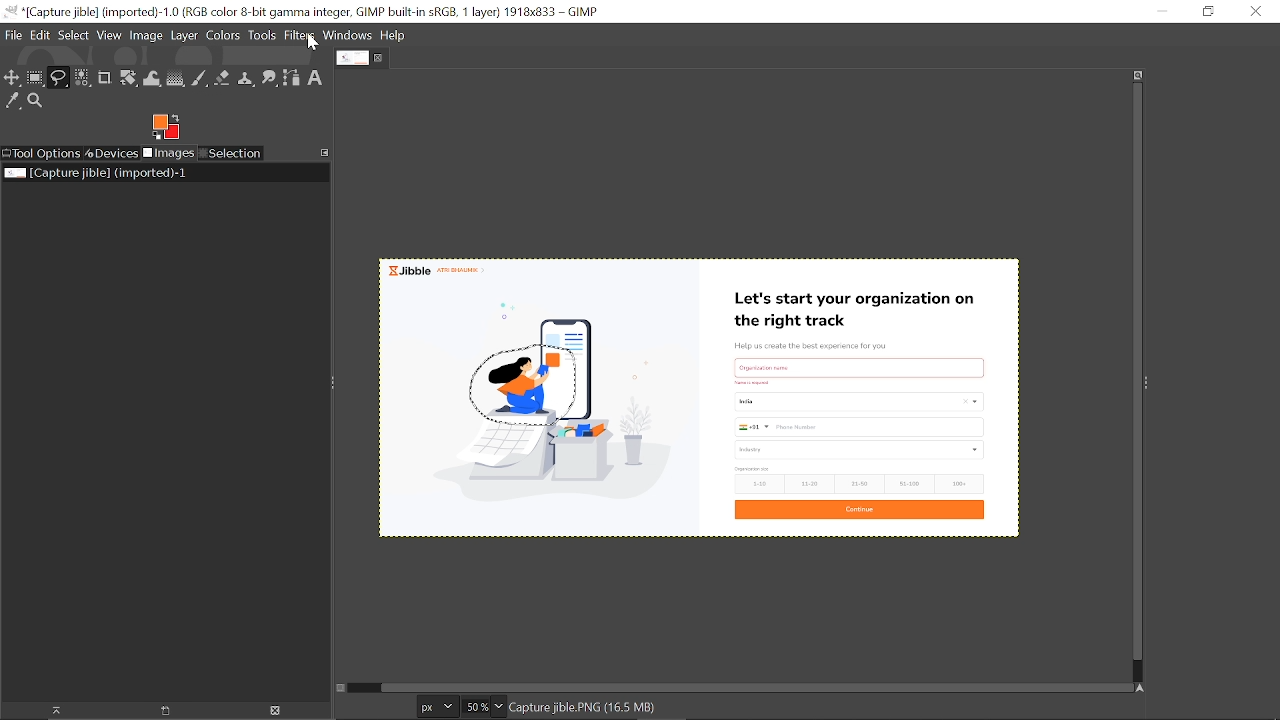 The width and height of the screenshot is (1280, 720). I want to click on Horizontal scrollbar, so click(745, 684).